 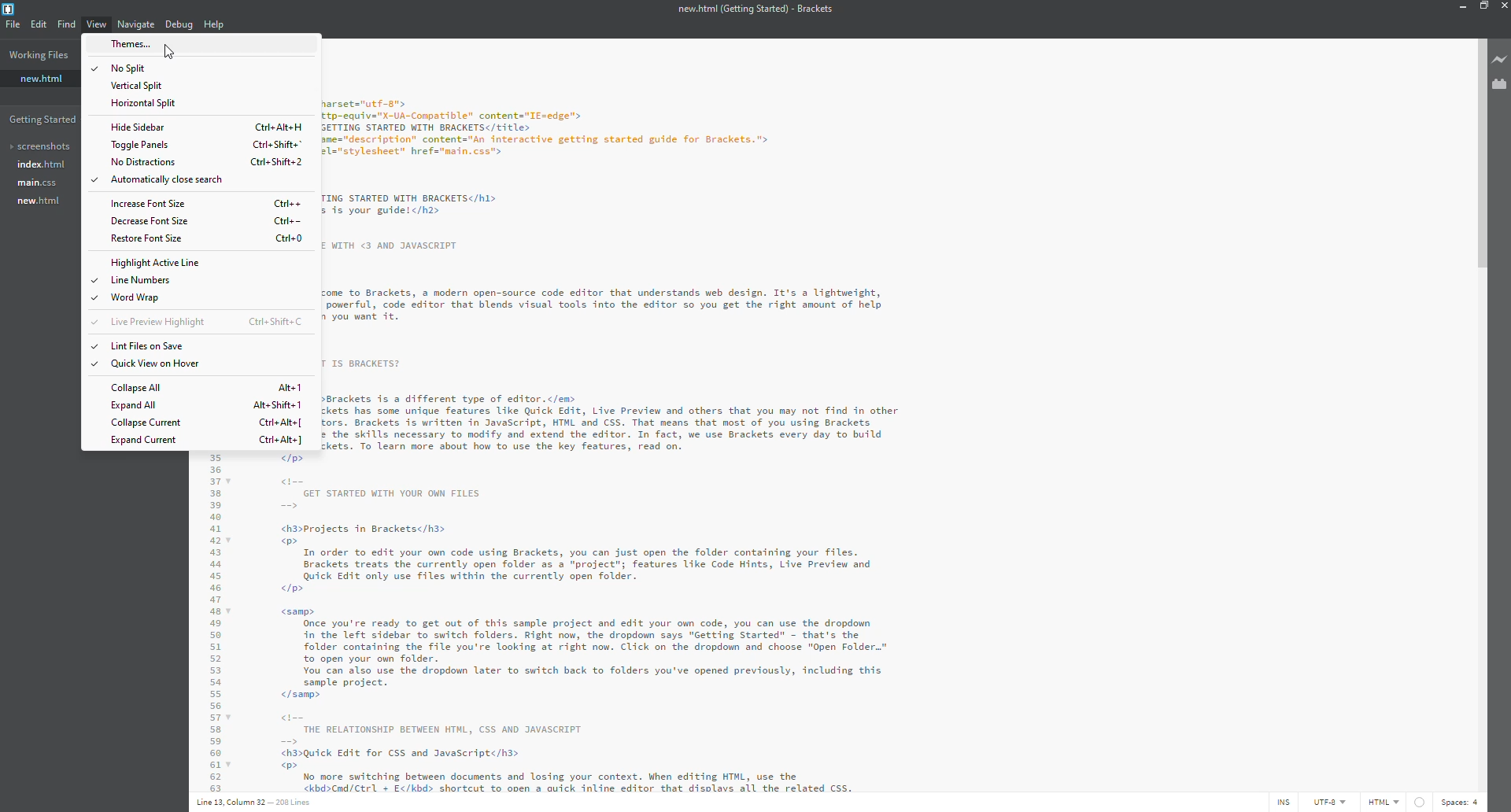 I want to click on lint files on save, so click(x=147, y=347).